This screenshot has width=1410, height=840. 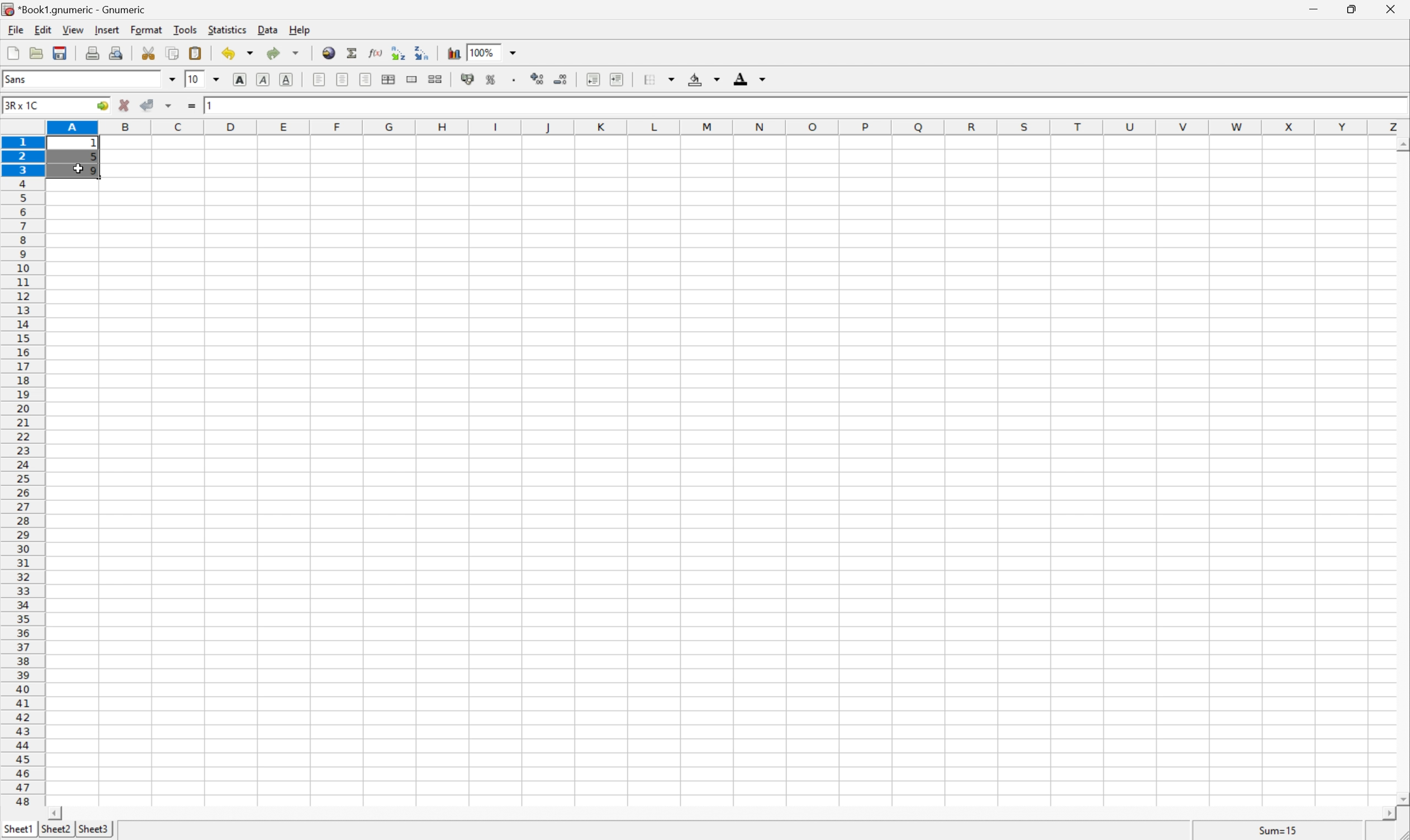 What do you see at coordinates (193, 78) in the screenshot?
I see `10` at bounding box center [193, 78].